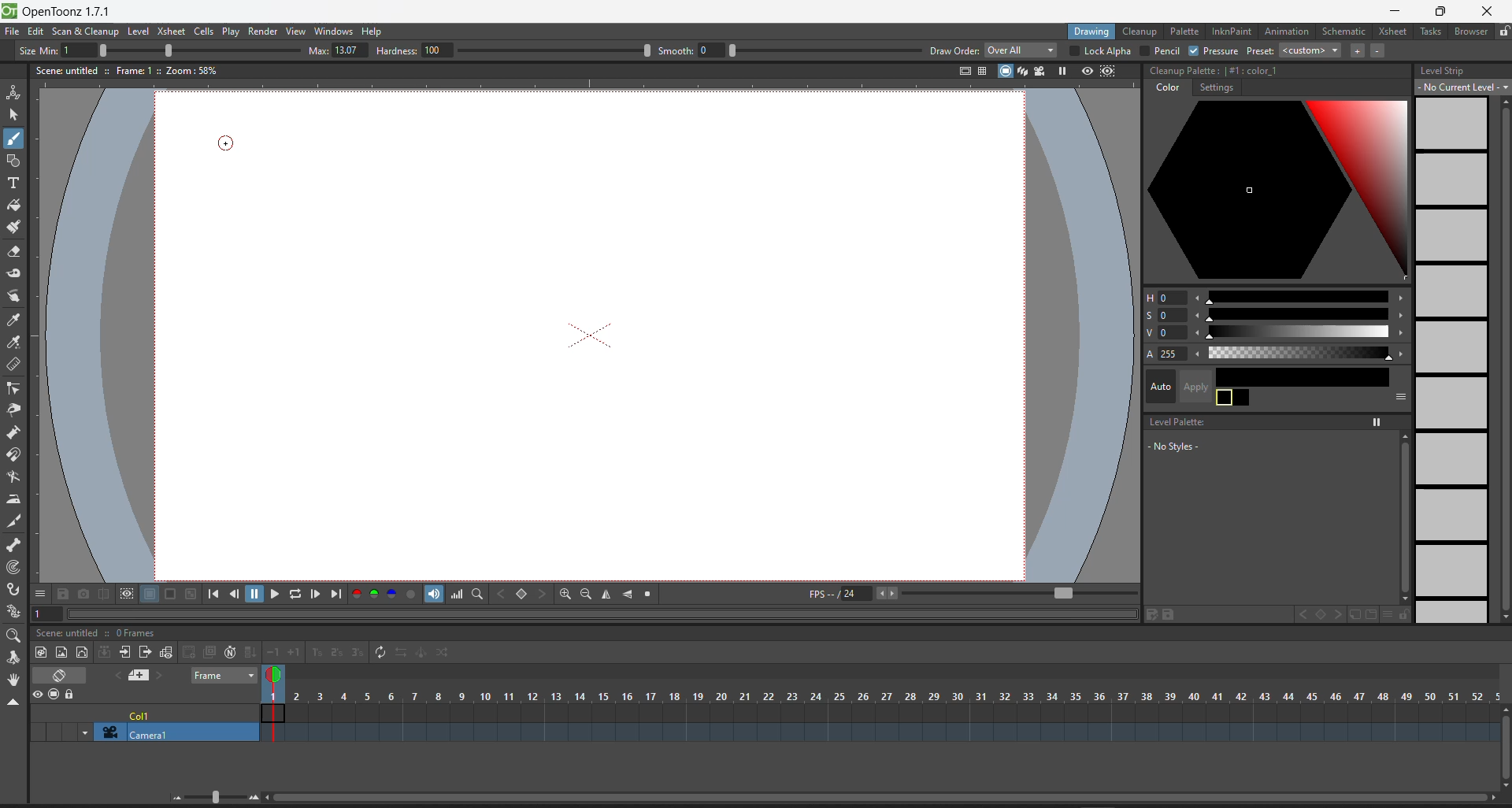  Describe the element at coordinates (1099, 50) in the screenshot. I see `lockalpha` at that location.